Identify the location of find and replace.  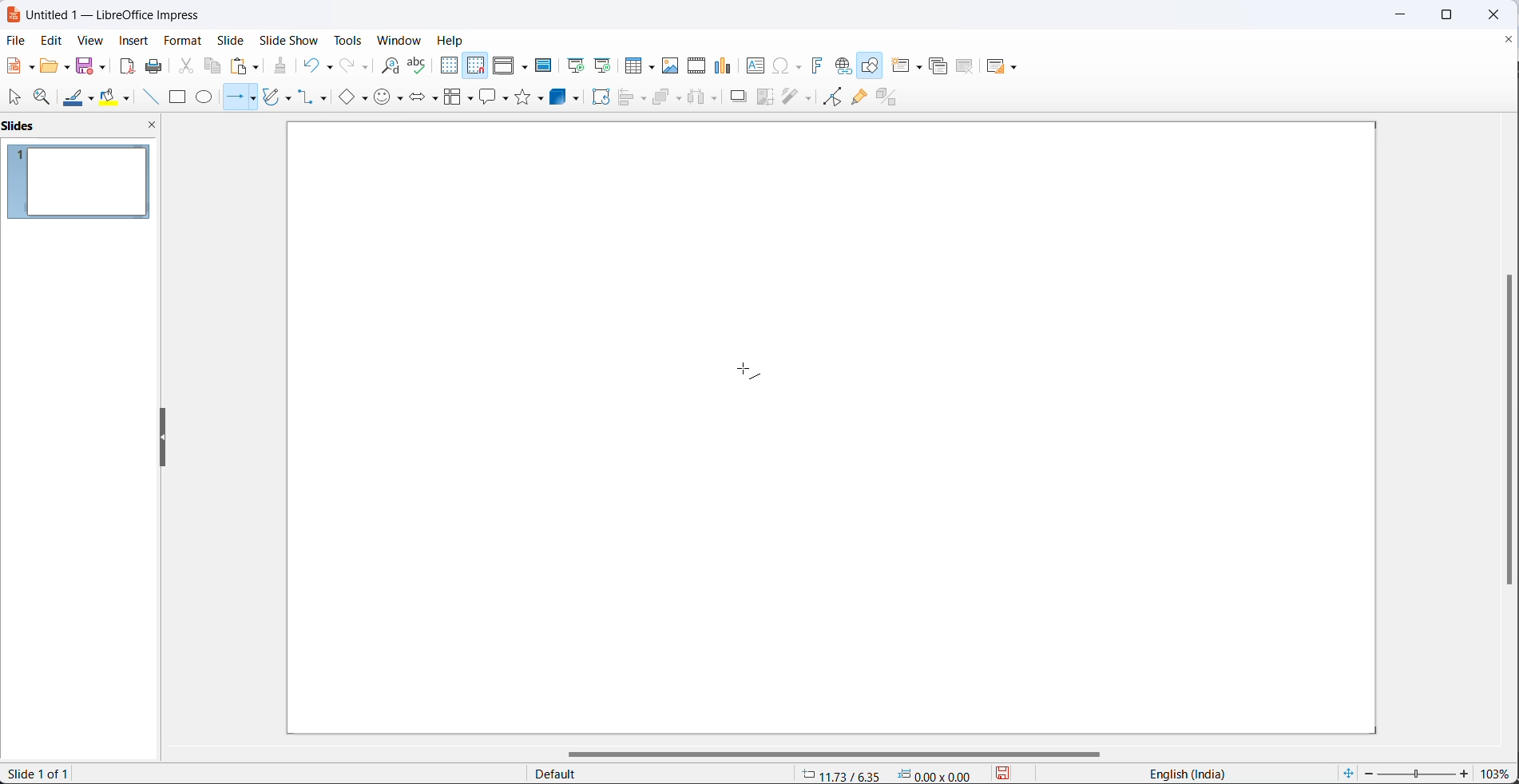
(386, 65).